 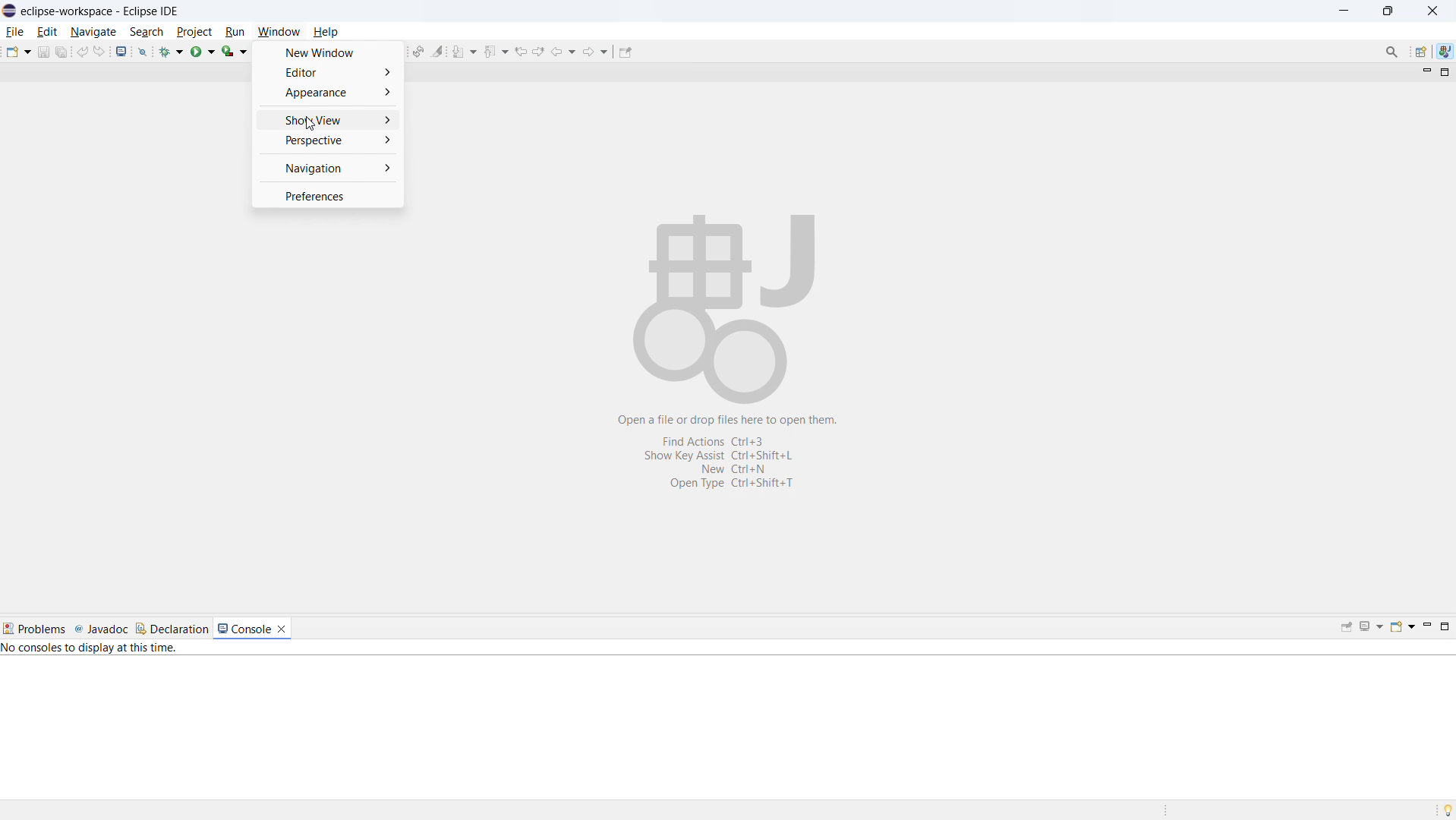 What do you see at coordinates (329, 52) in the screenshot?
I see `new window` at bounding box center [329, 52].